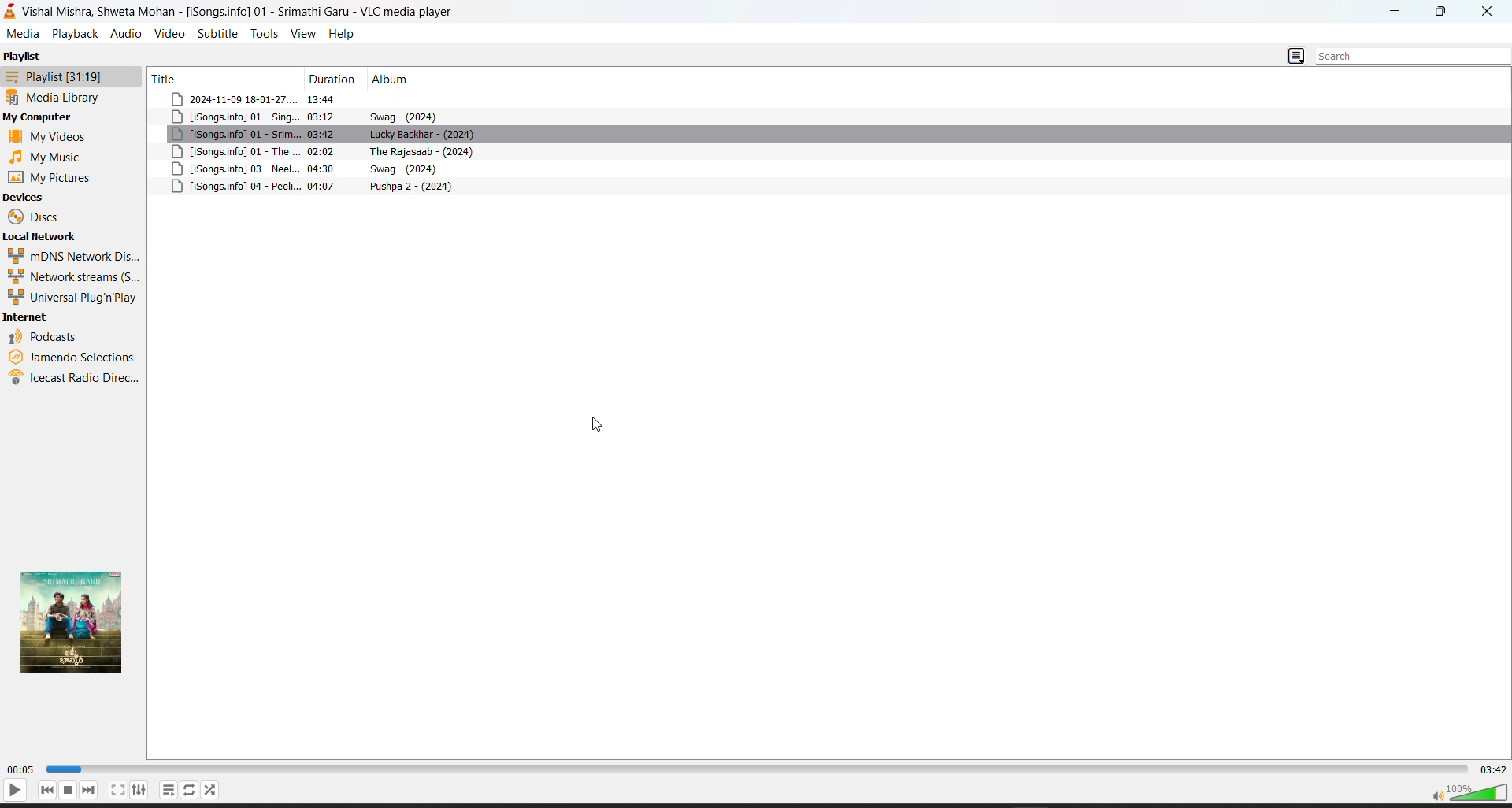  I want to click on search, so click(1401, 57).